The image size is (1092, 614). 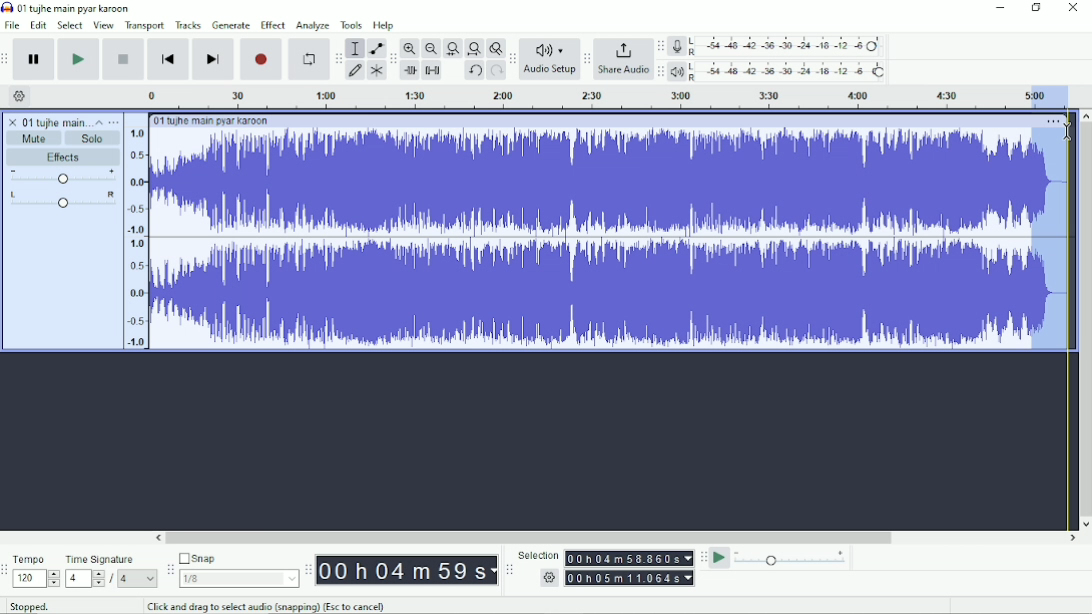 What do you see at coordinates (37, 557) in the screenshot?
I see `Tempo` at bounding box center [37, 557].